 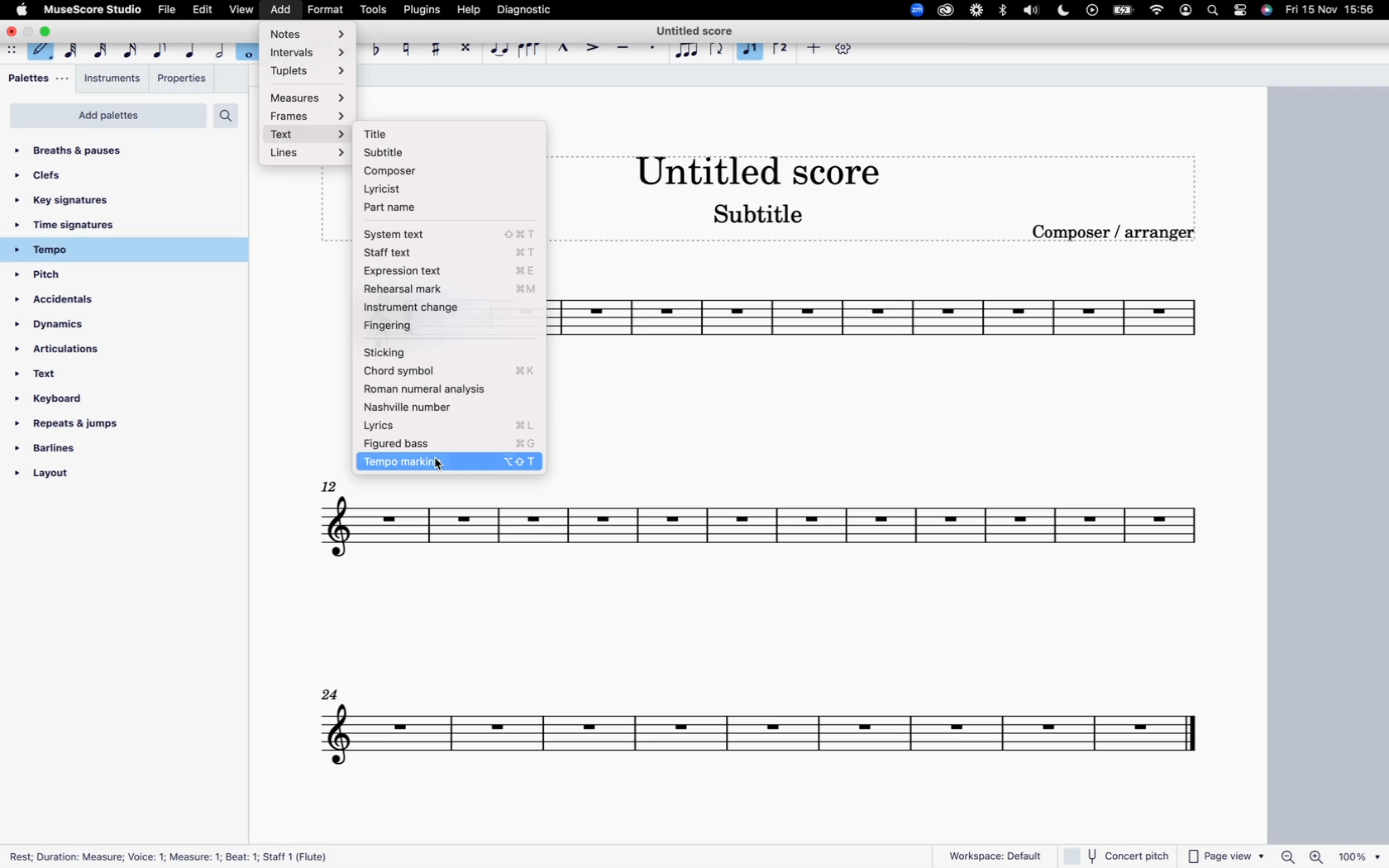 I want to click on score, so click(x=752, y=737).